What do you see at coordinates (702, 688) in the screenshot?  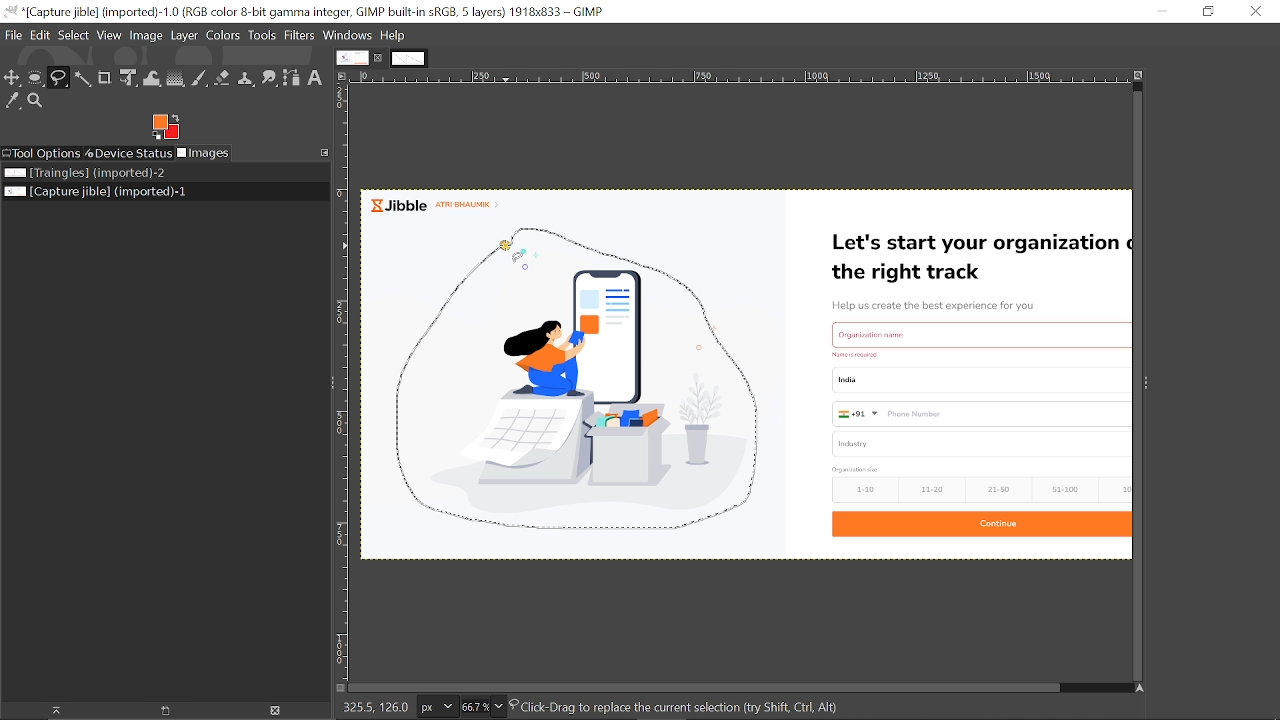 I see `Horizontal scrollbar` at bounding box center [702, 688].